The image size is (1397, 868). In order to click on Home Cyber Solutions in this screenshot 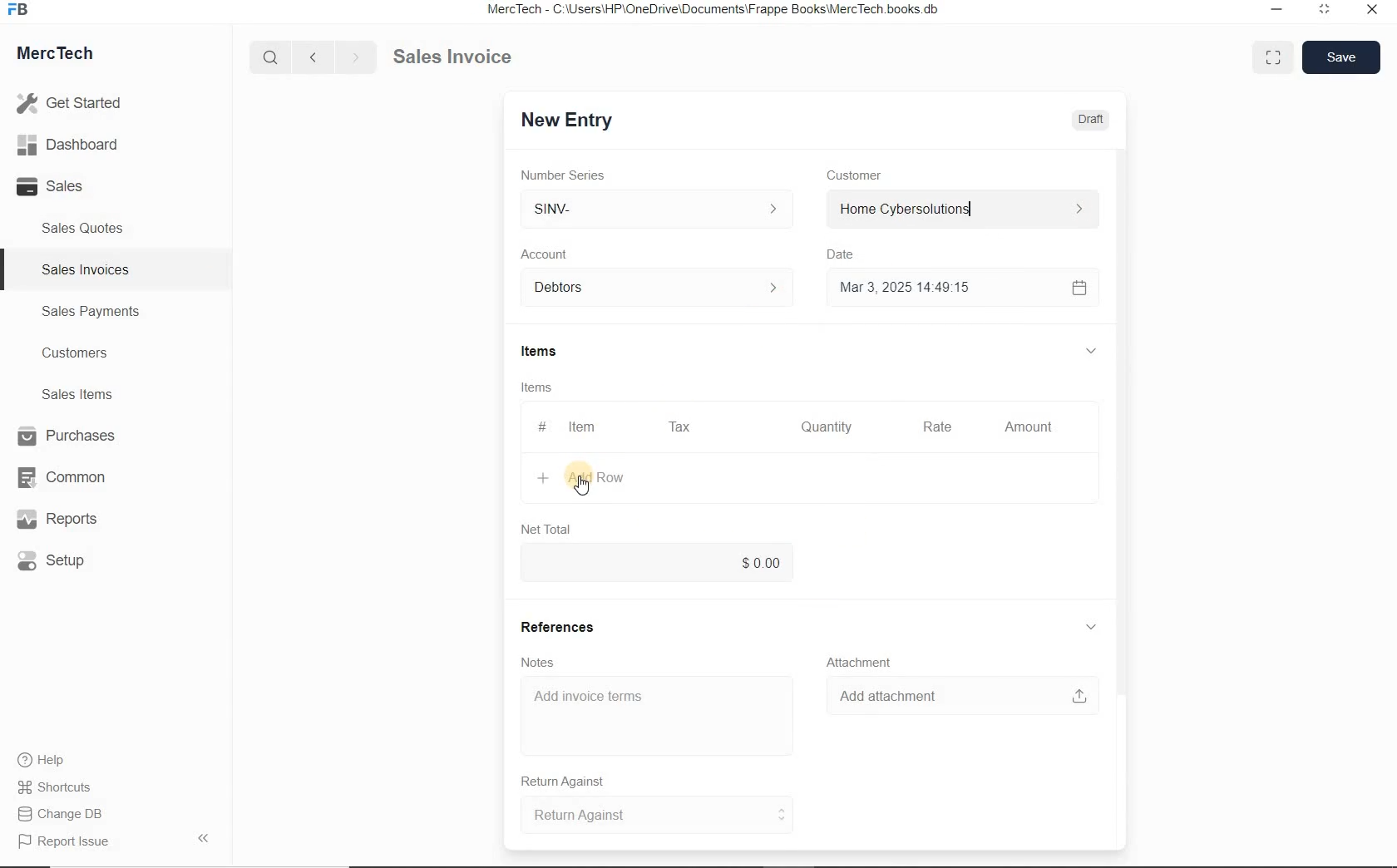, I will do `click(961, 210)`.